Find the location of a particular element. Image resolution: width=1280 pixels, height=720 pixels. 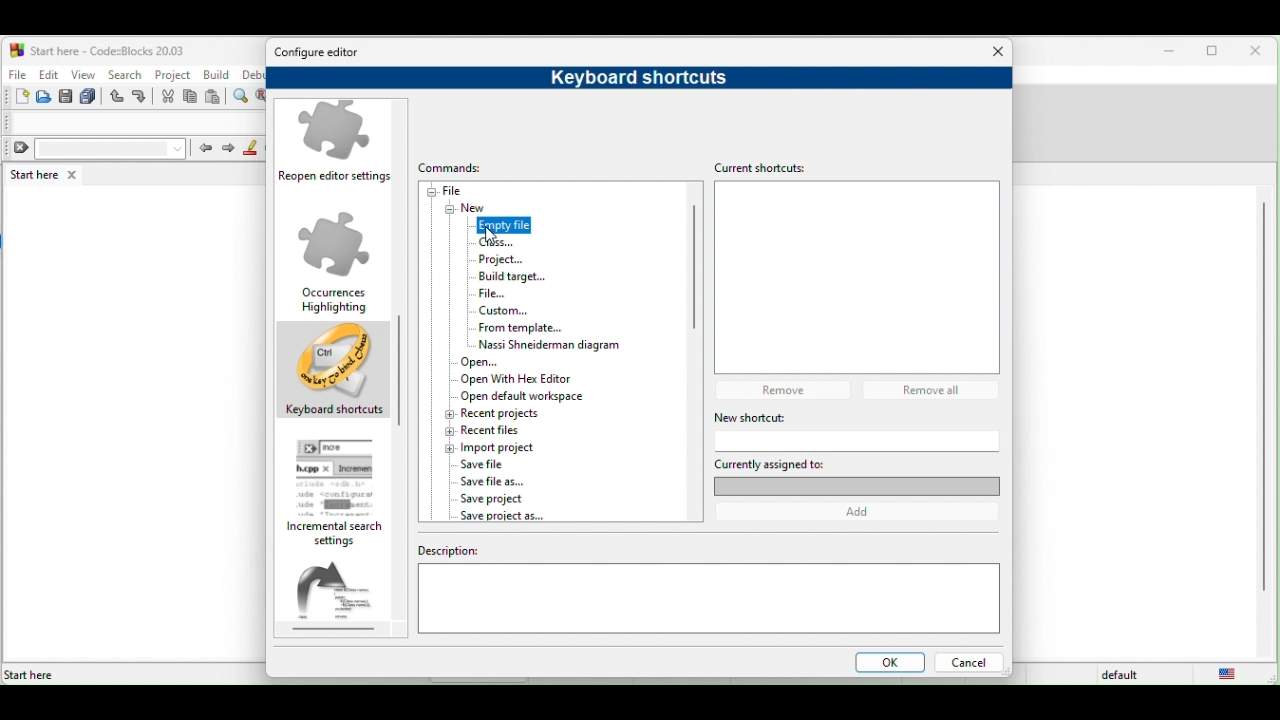

paste is located at coordinates (214, 98).